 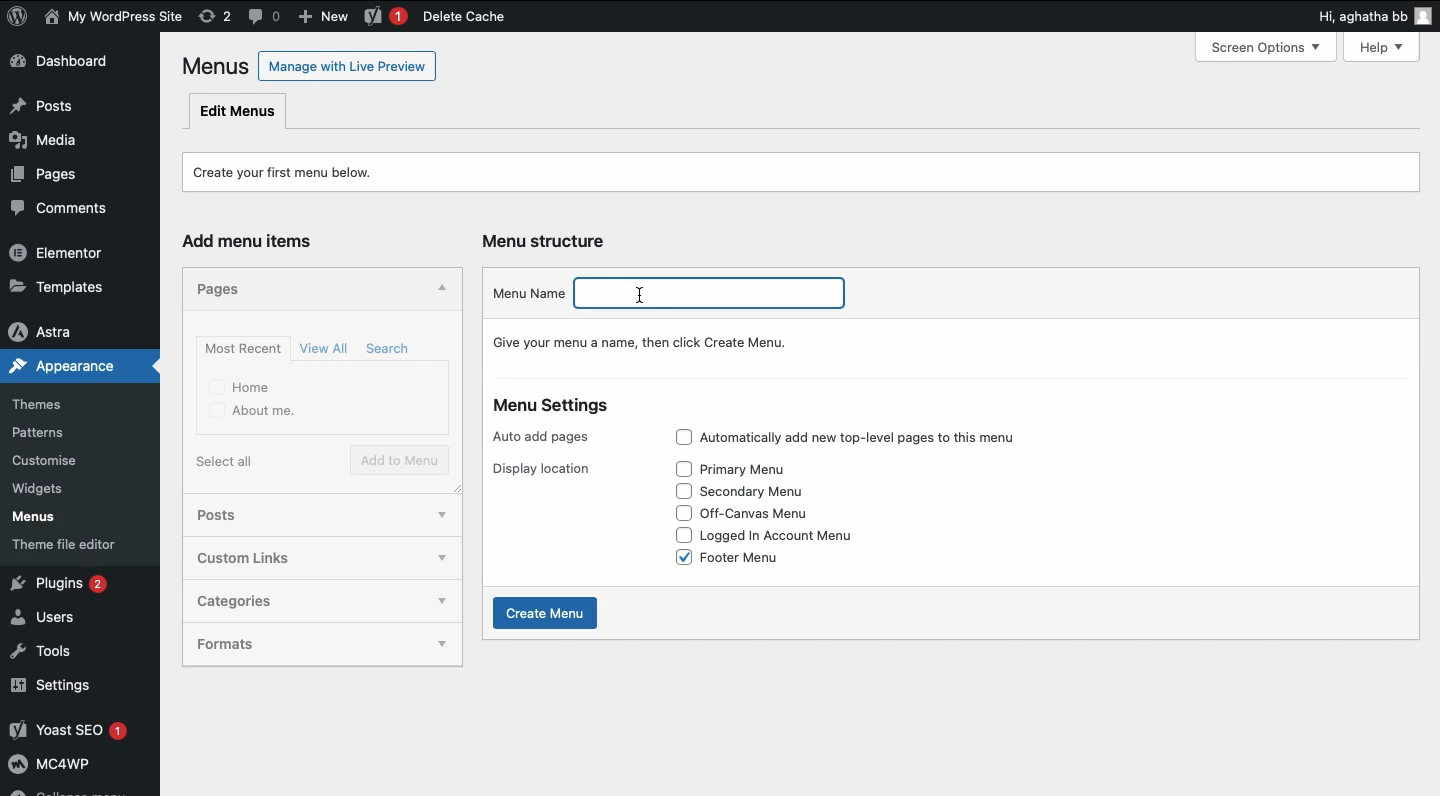 I want to click on Comment, so click(x=265, y=15).